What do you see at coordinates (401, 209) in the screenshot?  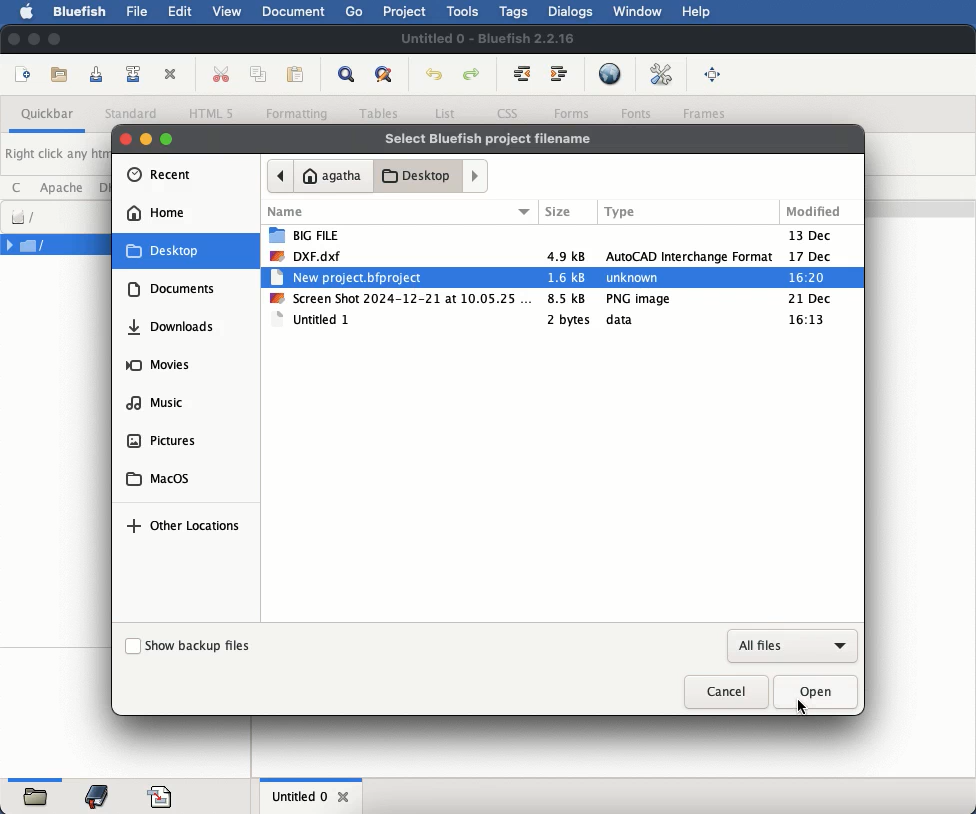 I see `name` at bounding box center [401, 209].